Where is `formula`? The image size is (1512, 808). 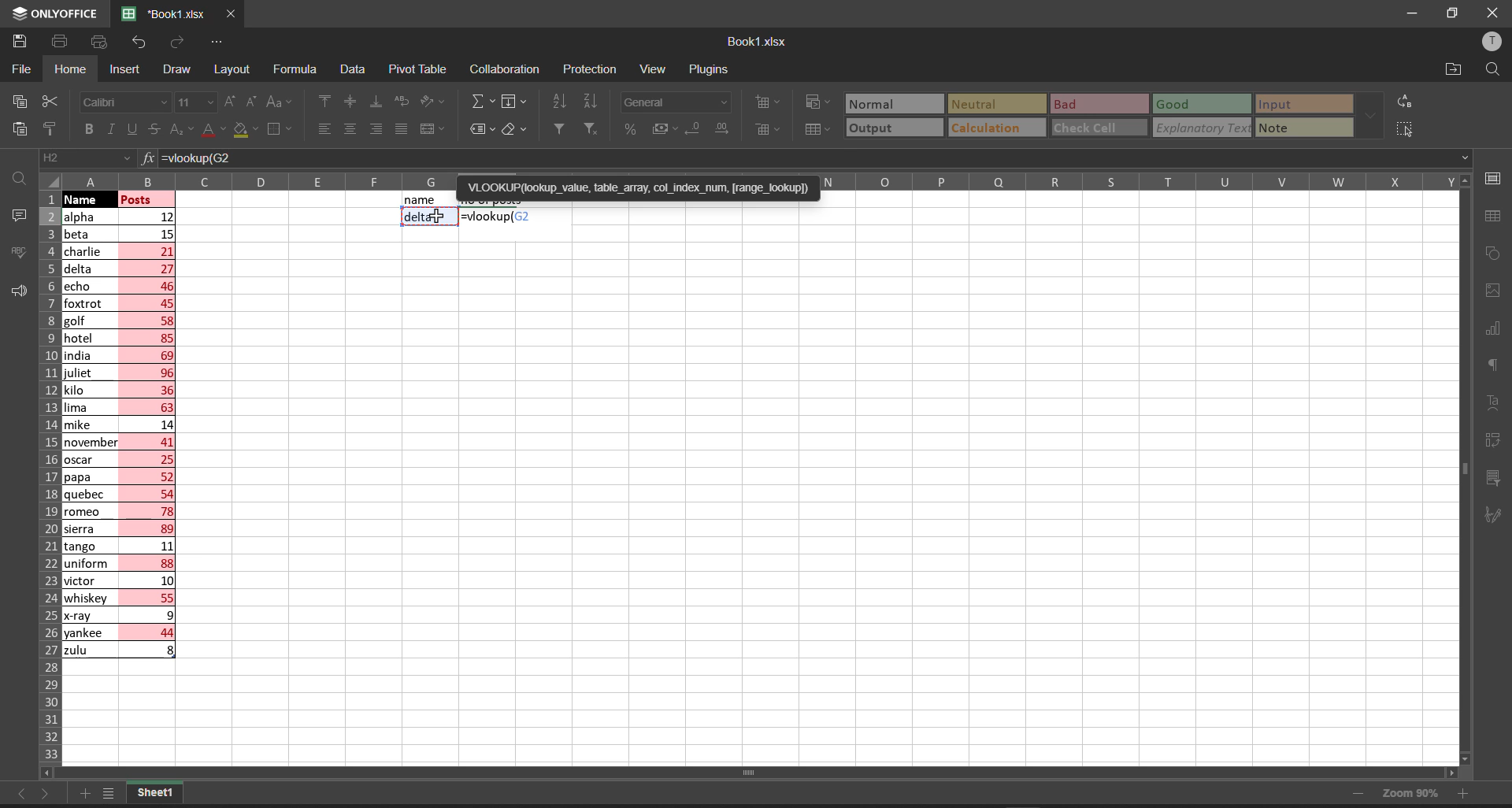 formula is located at coordinates (298, 70).